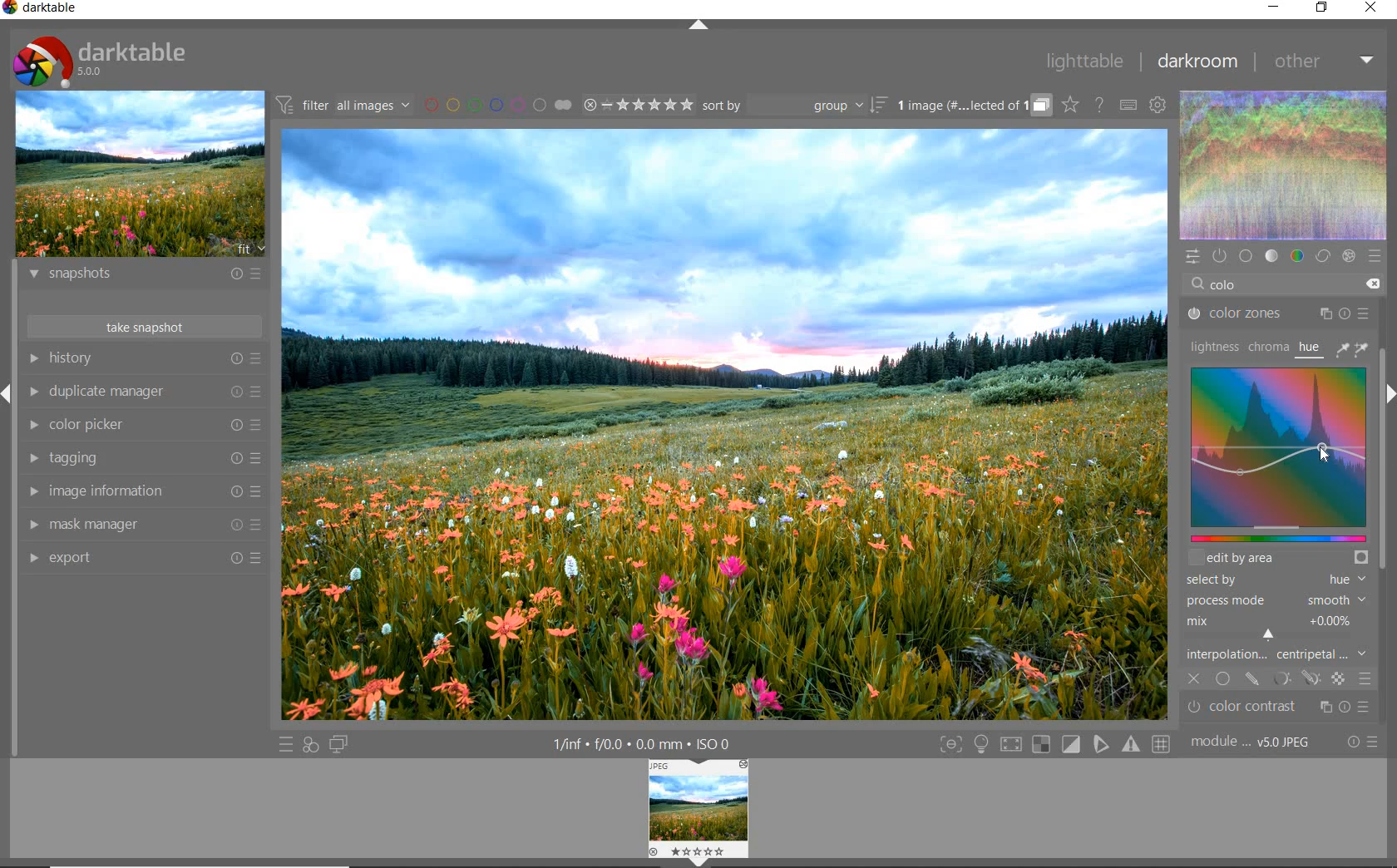 This screenshot has width=1397, height=868. Describe the element at coordinates (1272, 254) in the screenshot. I see `tone` at that location.